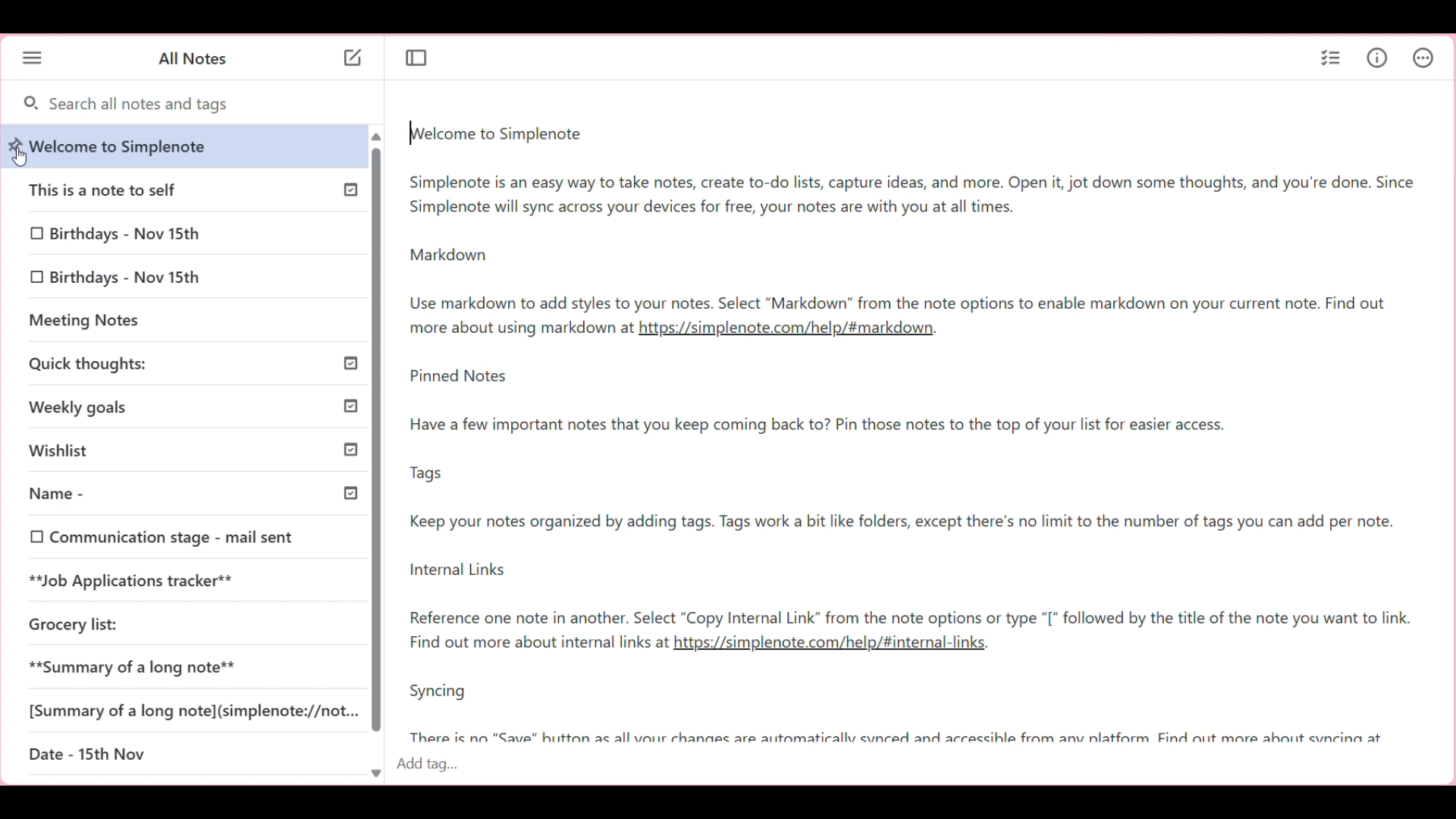  Describe the element at coordinates (517, 328) in the screenshot. I see `Note ` at that location.